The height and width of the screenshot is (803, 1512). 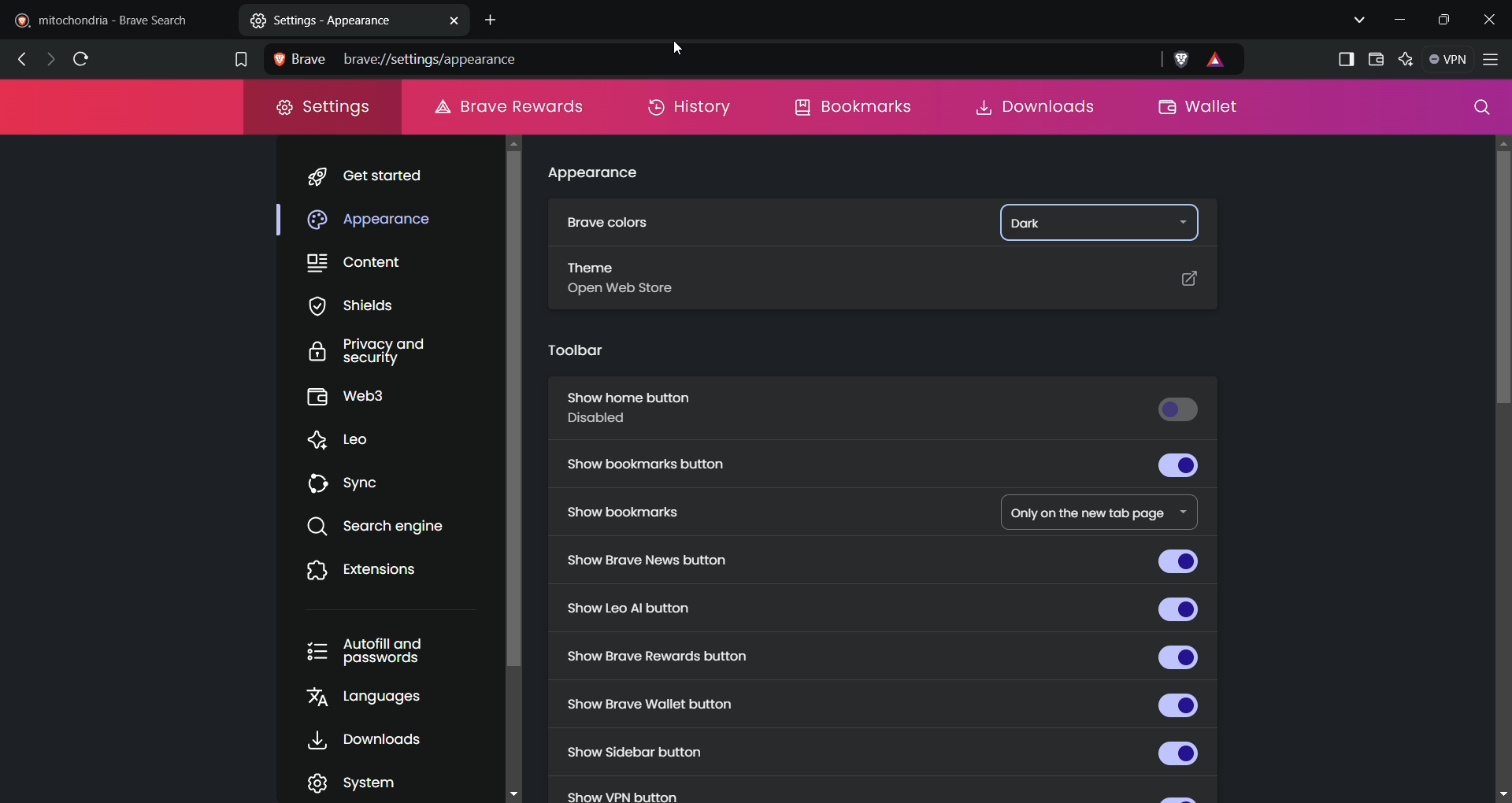 What do you see at coordinates (358, 305) in the screenshot?
I see `shields` at bounding box center [358, 305].